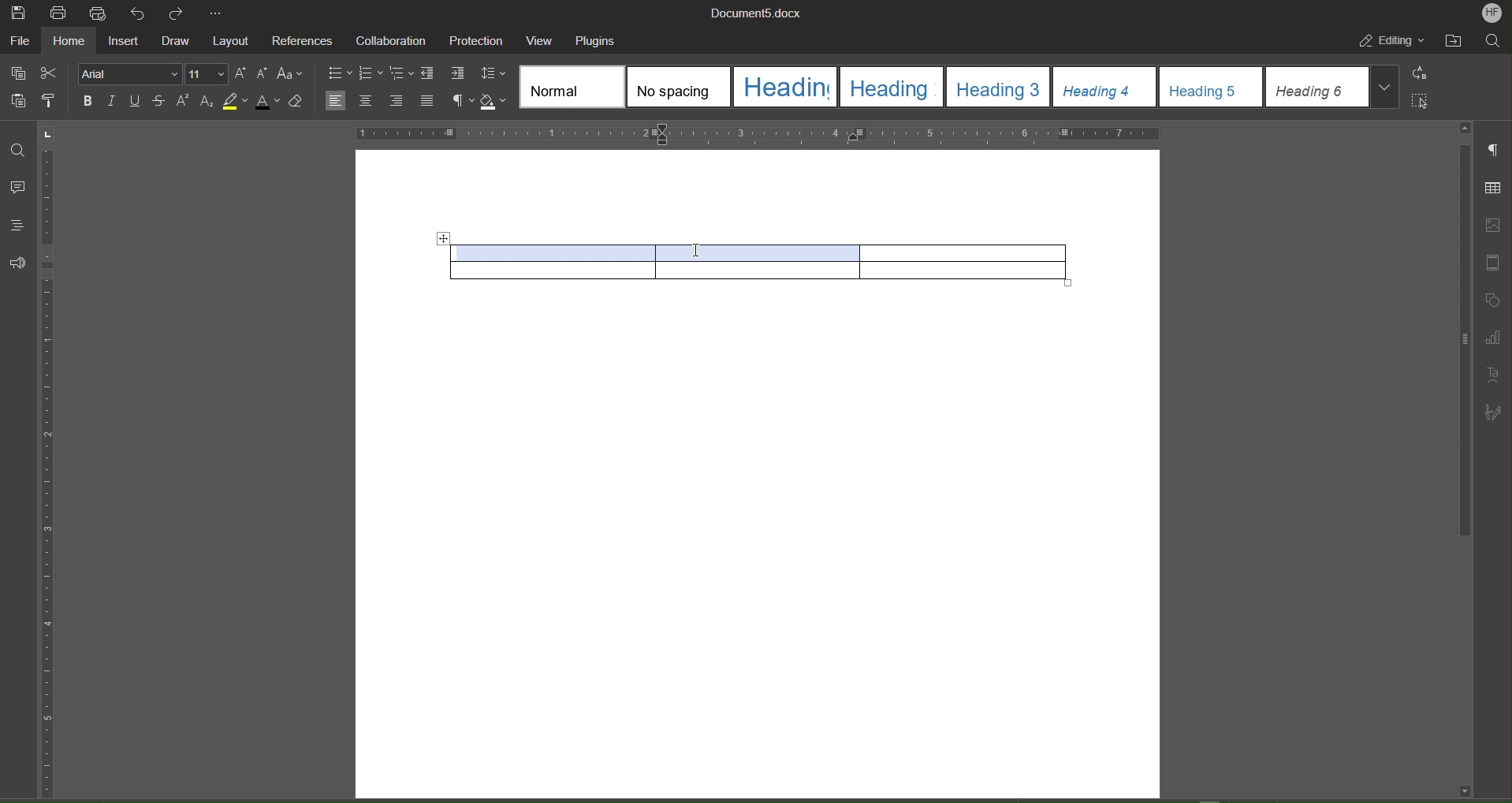  I want to click on Erase Style, so click(298, 101).